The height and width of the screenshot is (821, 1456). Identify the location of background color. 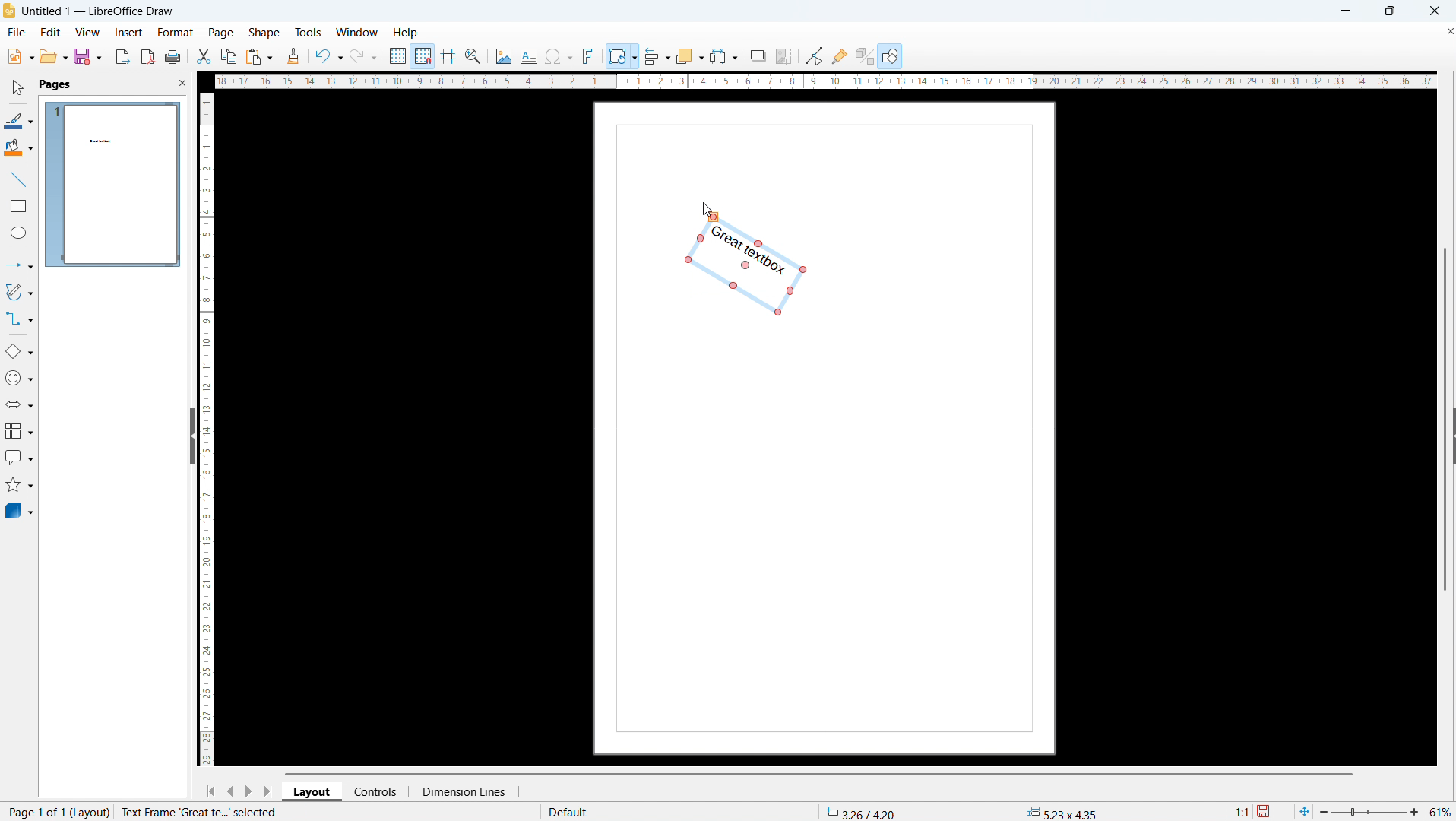
(18, 148).